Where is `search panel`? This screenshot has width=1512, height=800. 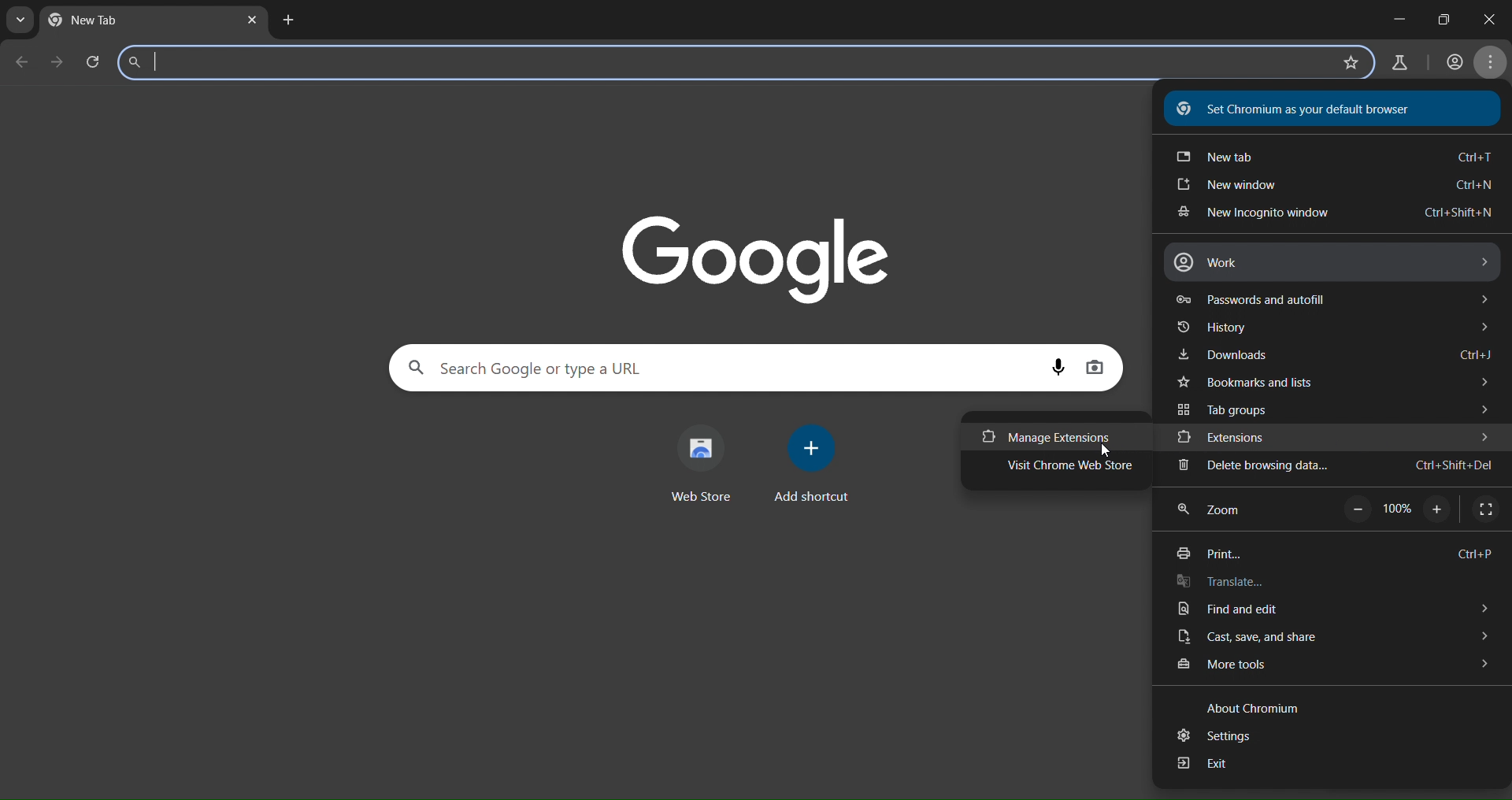 search panel is located at coordinates (714, 368).